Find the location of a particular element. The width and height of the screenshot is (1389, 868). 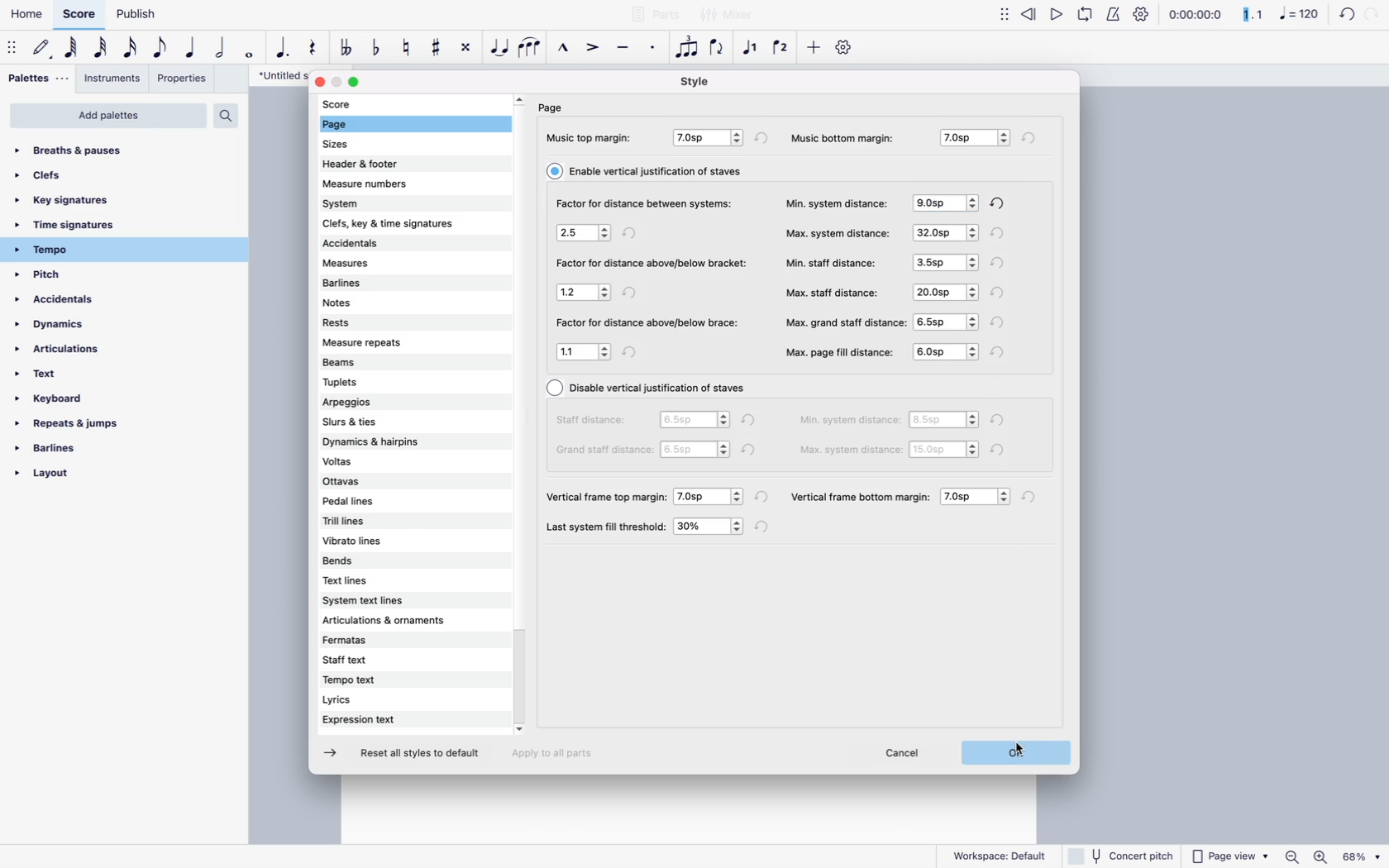

accidentals is located at coordinates (68, 303).